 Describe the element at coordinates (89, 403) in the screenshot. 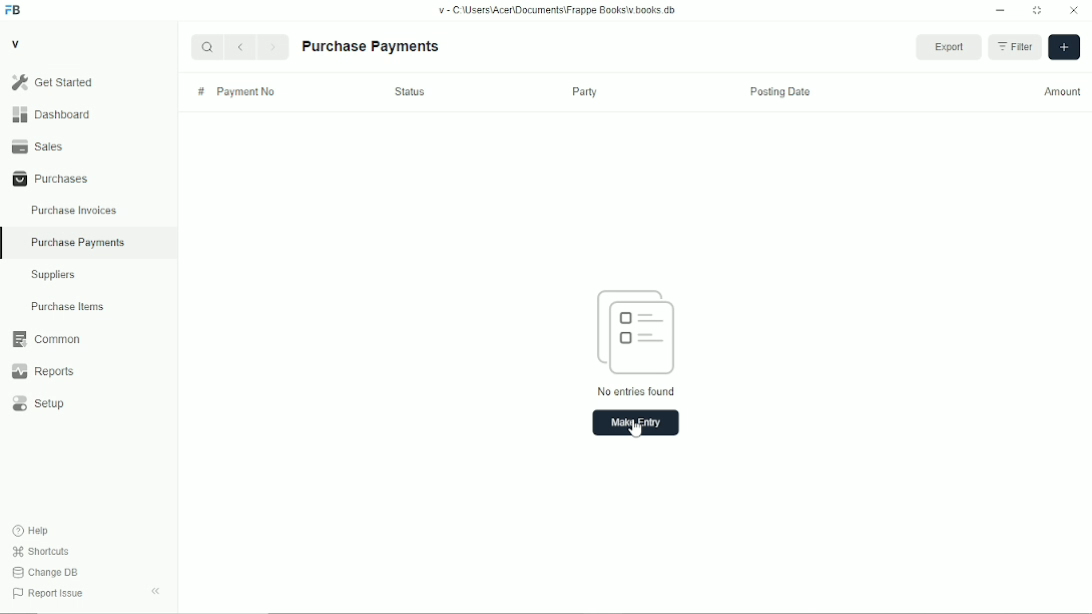

I see `Setup` at that location.